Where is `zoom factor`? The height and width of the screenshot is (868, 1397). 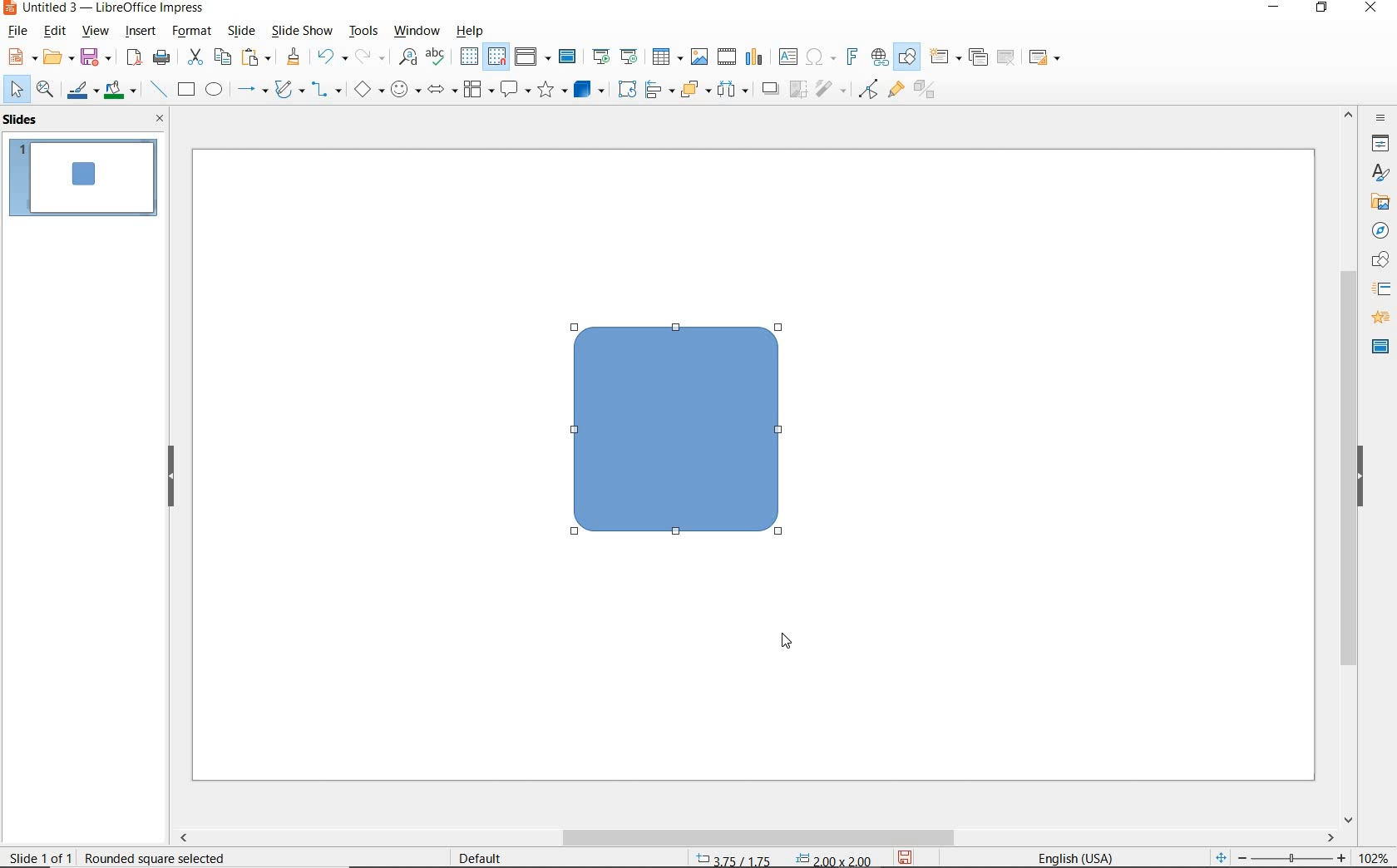 zoom factor is located at coordinates (1374, 854).